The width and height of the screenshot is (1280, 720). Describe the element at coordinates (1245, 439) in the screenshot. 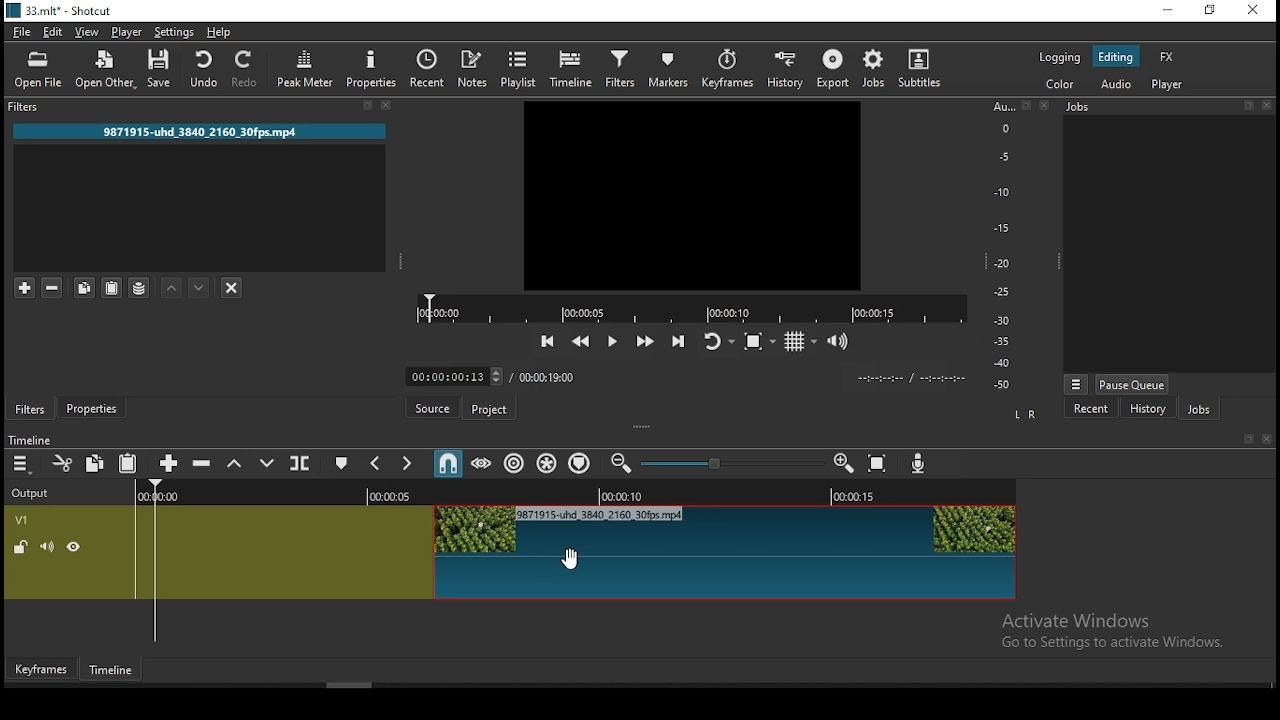

I see `bookmark` at that location.